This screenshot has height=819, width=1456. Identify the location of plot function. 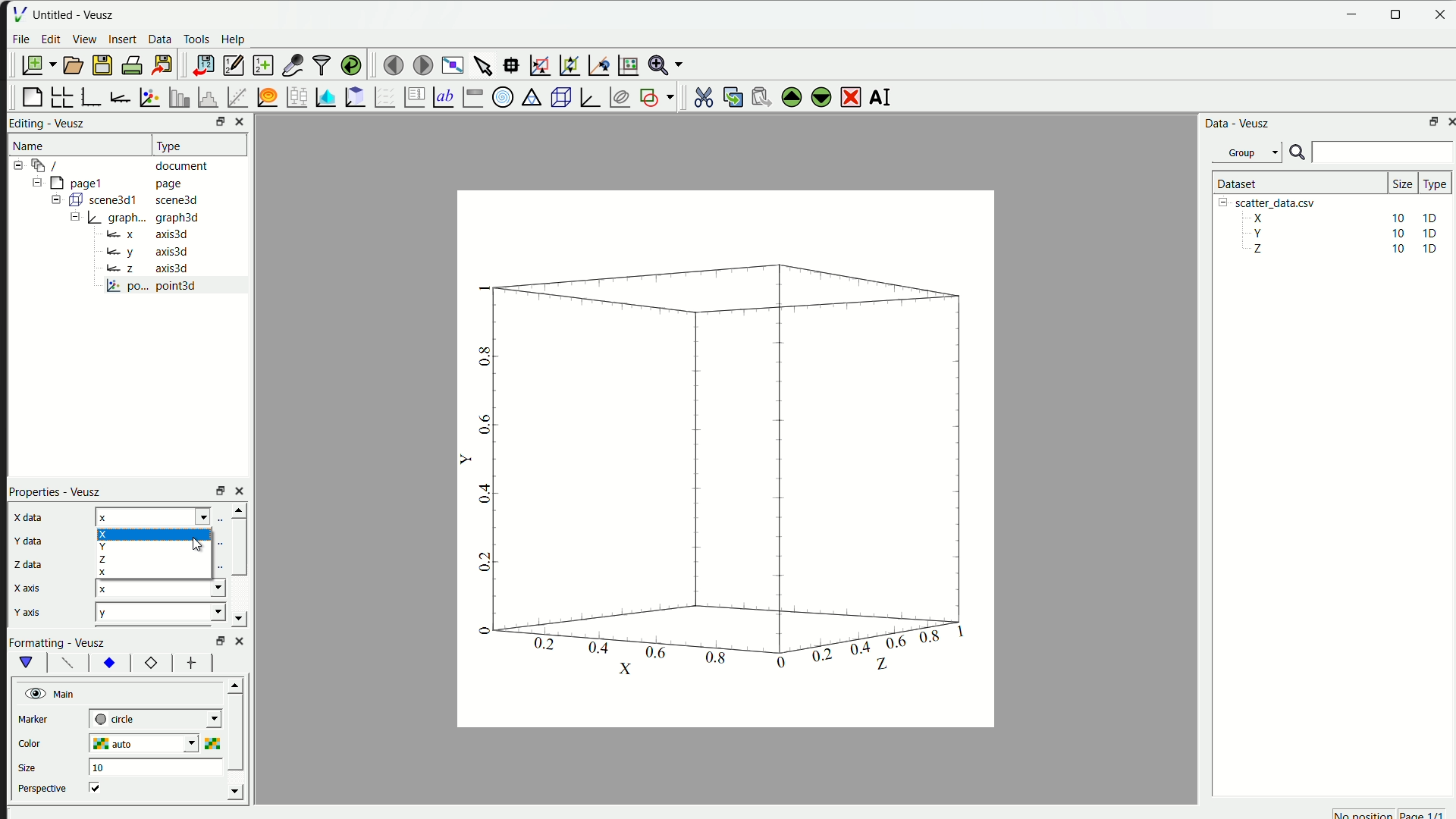
(265, 97).